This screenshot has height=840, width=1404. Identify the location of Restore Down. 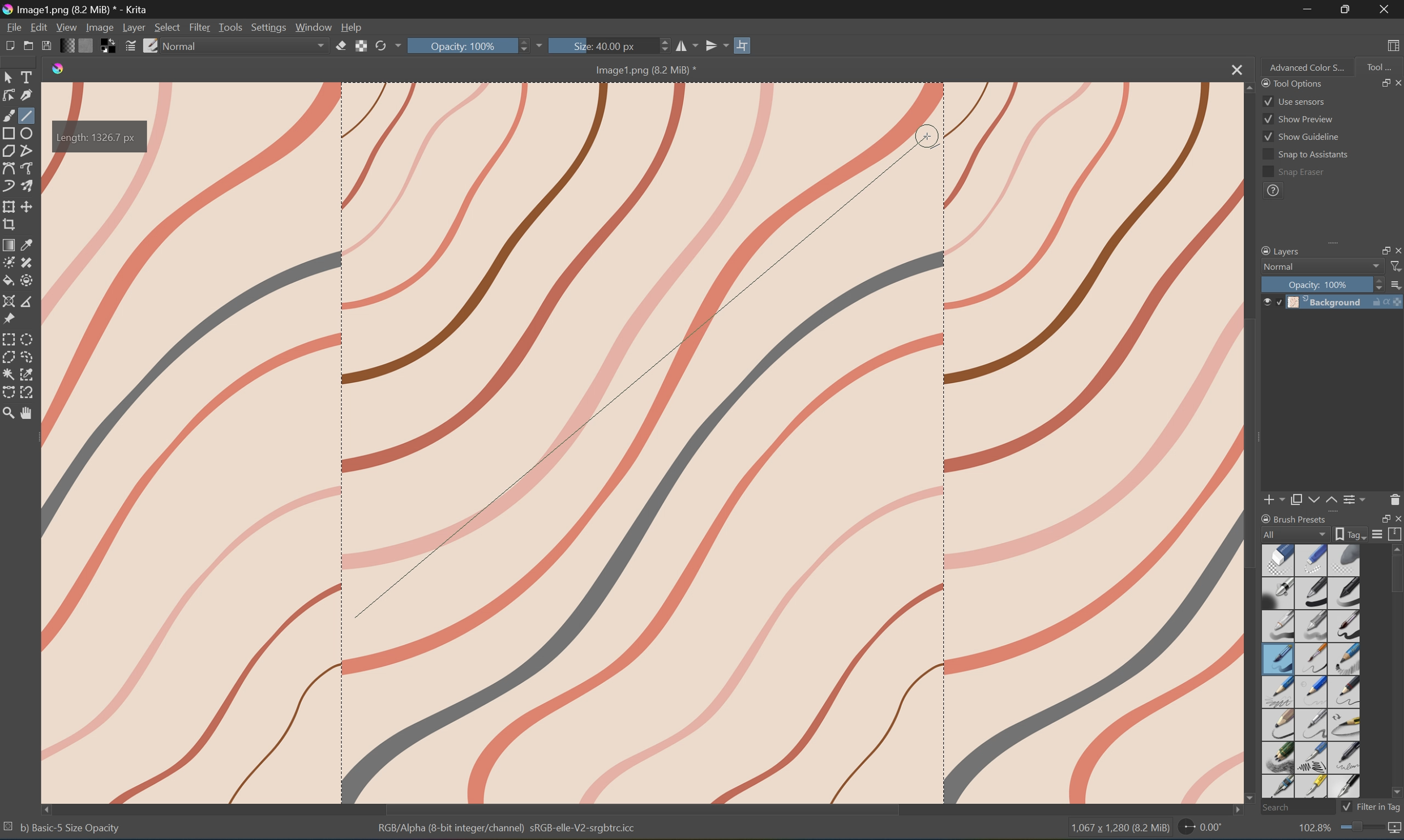
(1349, 9).